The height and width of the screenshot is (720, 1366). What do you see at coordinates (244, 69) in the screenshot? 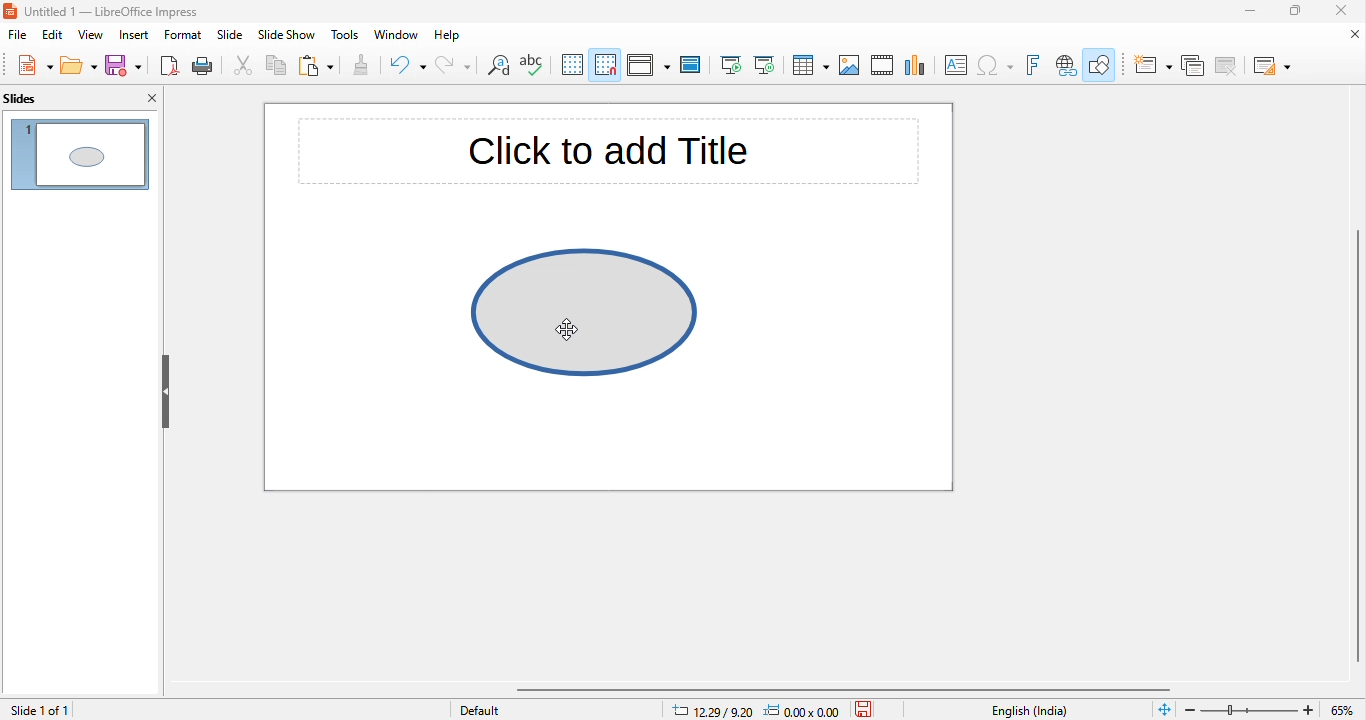
I see `cut` at bounding box center [244, 69].